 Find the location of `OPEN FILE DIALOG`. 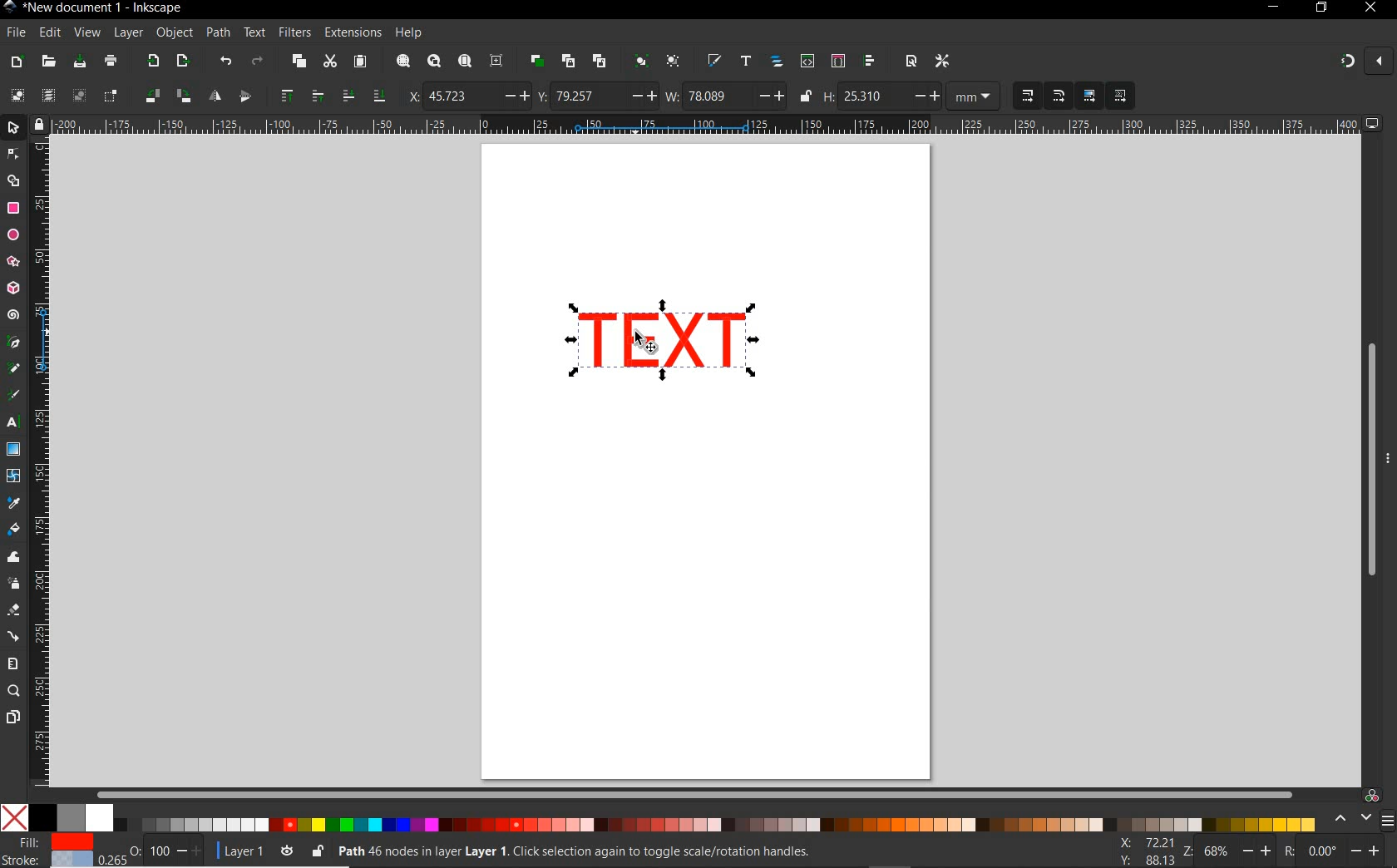

OPEN FILE DIALOG is located at coordinates (48, 62).